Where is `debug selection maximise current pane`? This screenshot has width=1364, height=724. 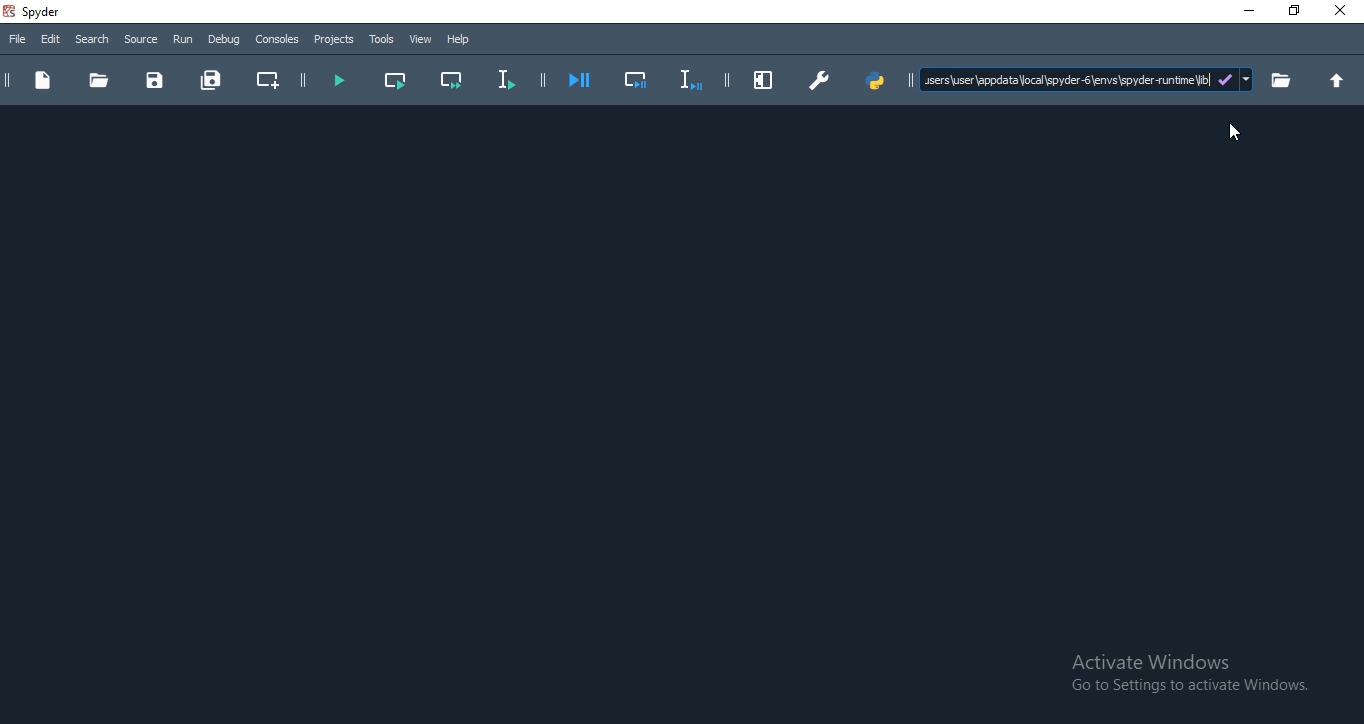 debug selection maximise current pane is located at coordinates (637, 82).